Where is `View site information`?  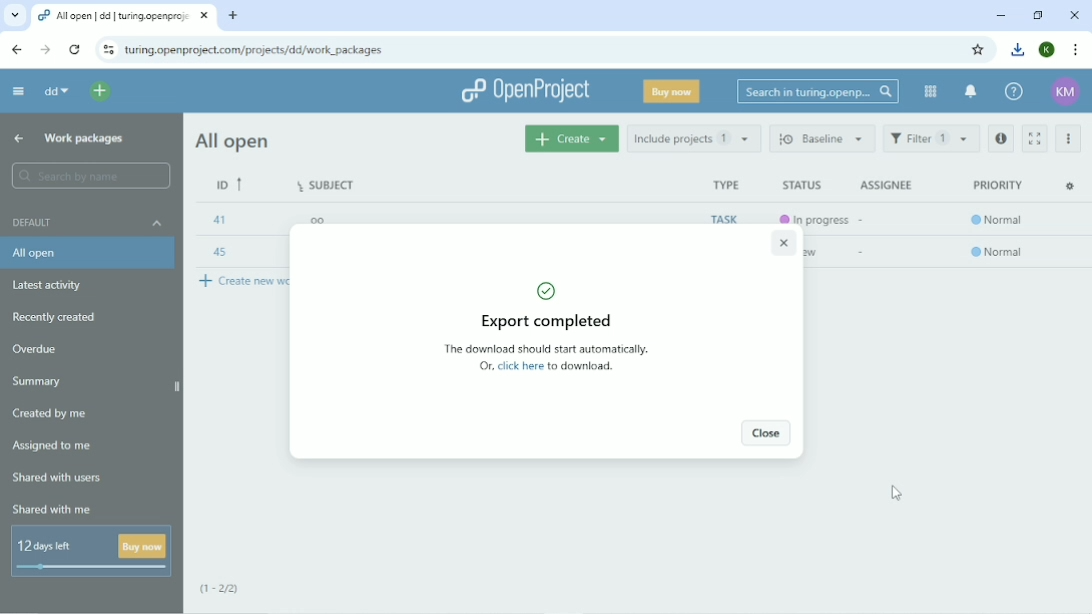
View site information is located at coordinates (108, 49).